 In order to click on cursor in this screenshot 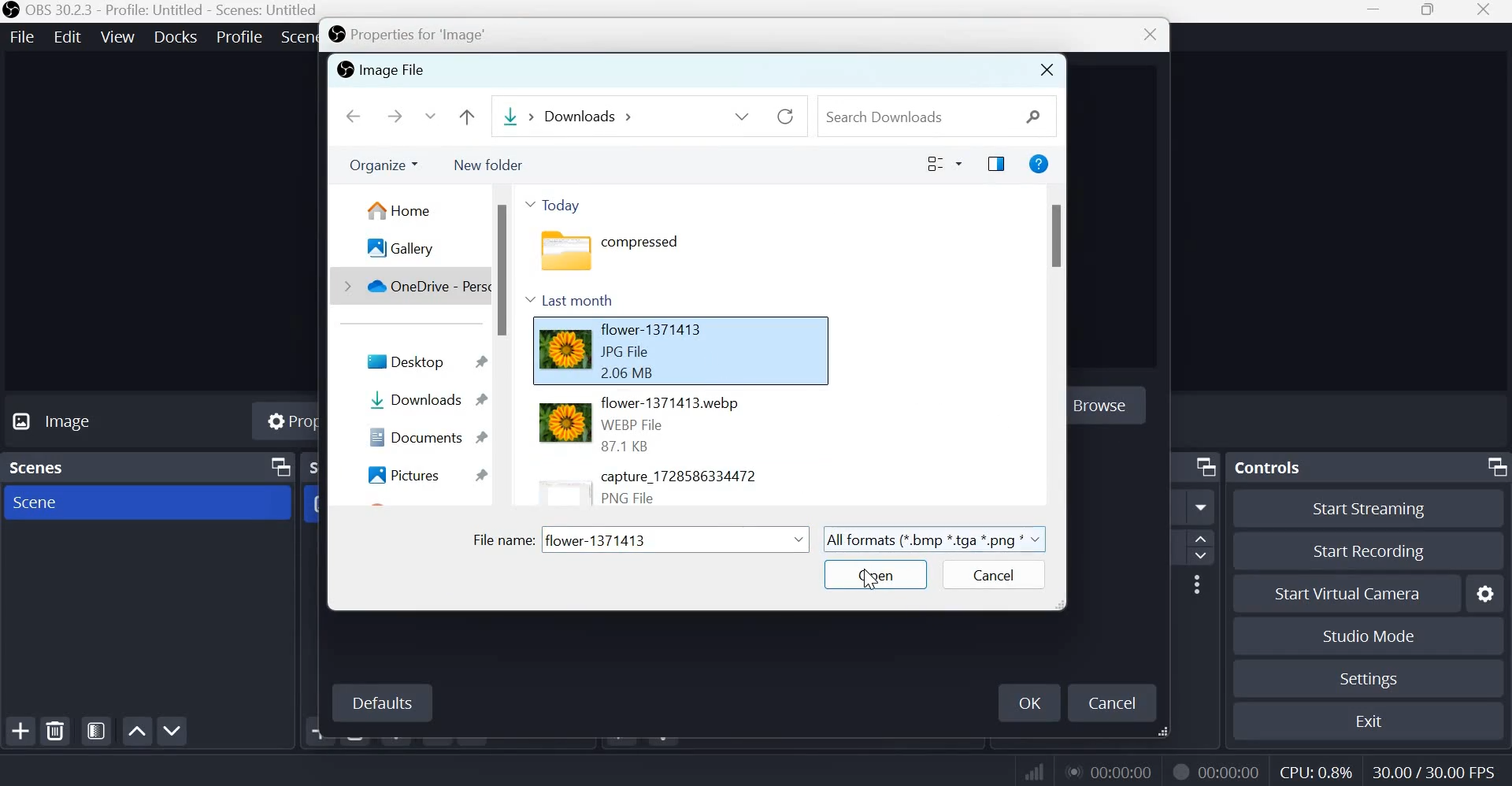, I will do `click(872, 578)`.